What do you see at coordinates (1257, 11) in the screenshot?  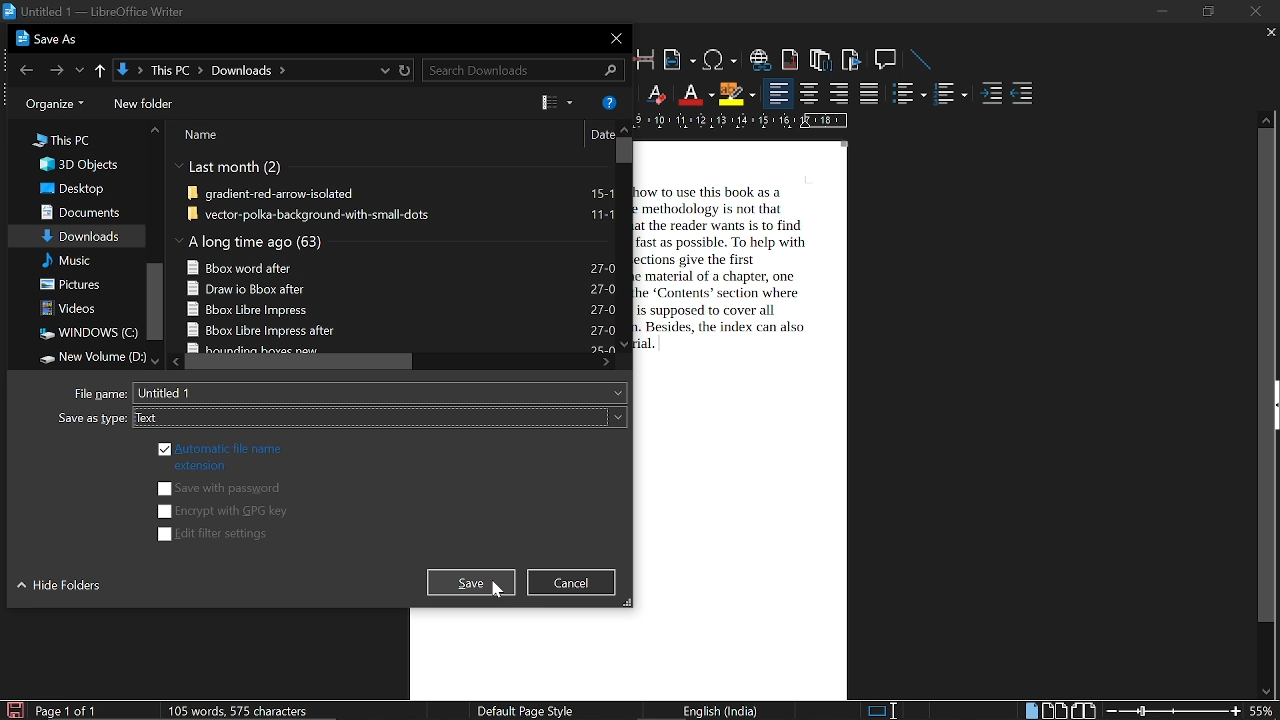 I see `close` at bounding box center [1257, 11].